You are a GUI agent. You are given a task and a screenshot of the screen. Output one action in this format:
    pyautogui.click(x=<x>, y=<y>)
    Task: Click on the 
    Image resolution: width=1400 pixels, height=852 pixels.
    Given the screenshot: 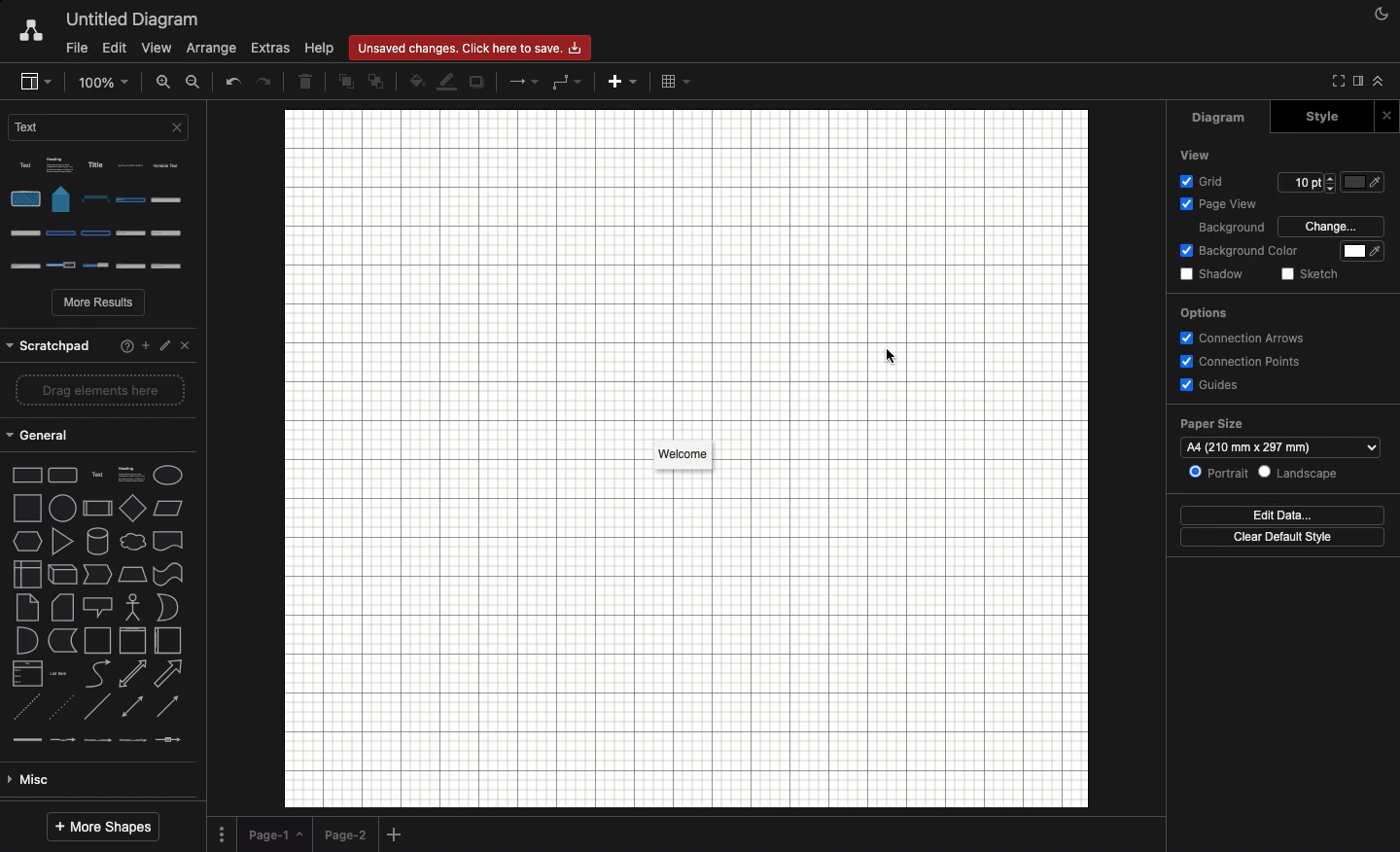 What is the action you would take?
    pyautogui.click(x=1278, y=183)
    